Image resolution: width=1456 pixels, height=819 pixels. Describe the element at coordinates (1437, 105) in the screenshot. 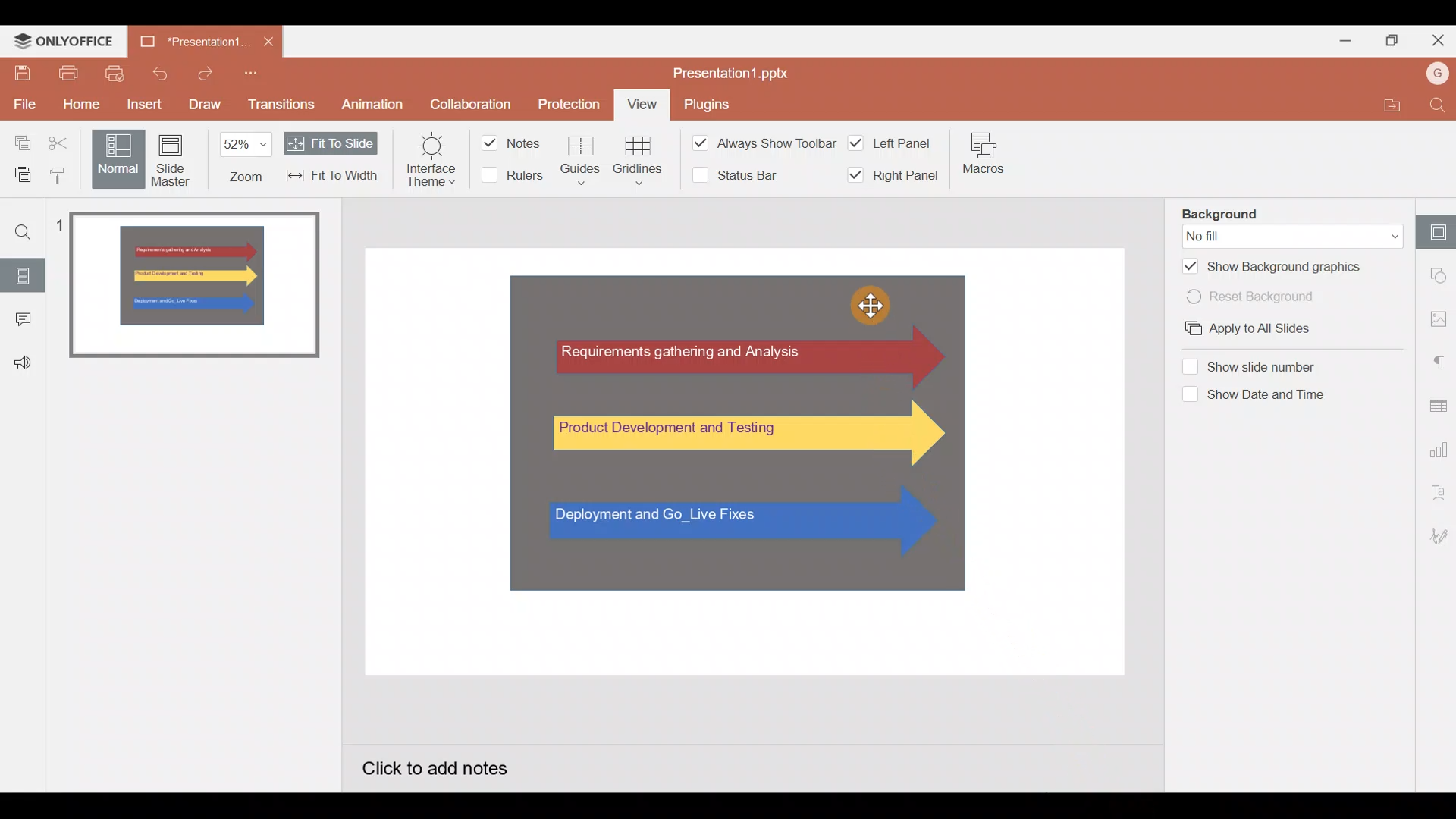

I see `Find` at that location.